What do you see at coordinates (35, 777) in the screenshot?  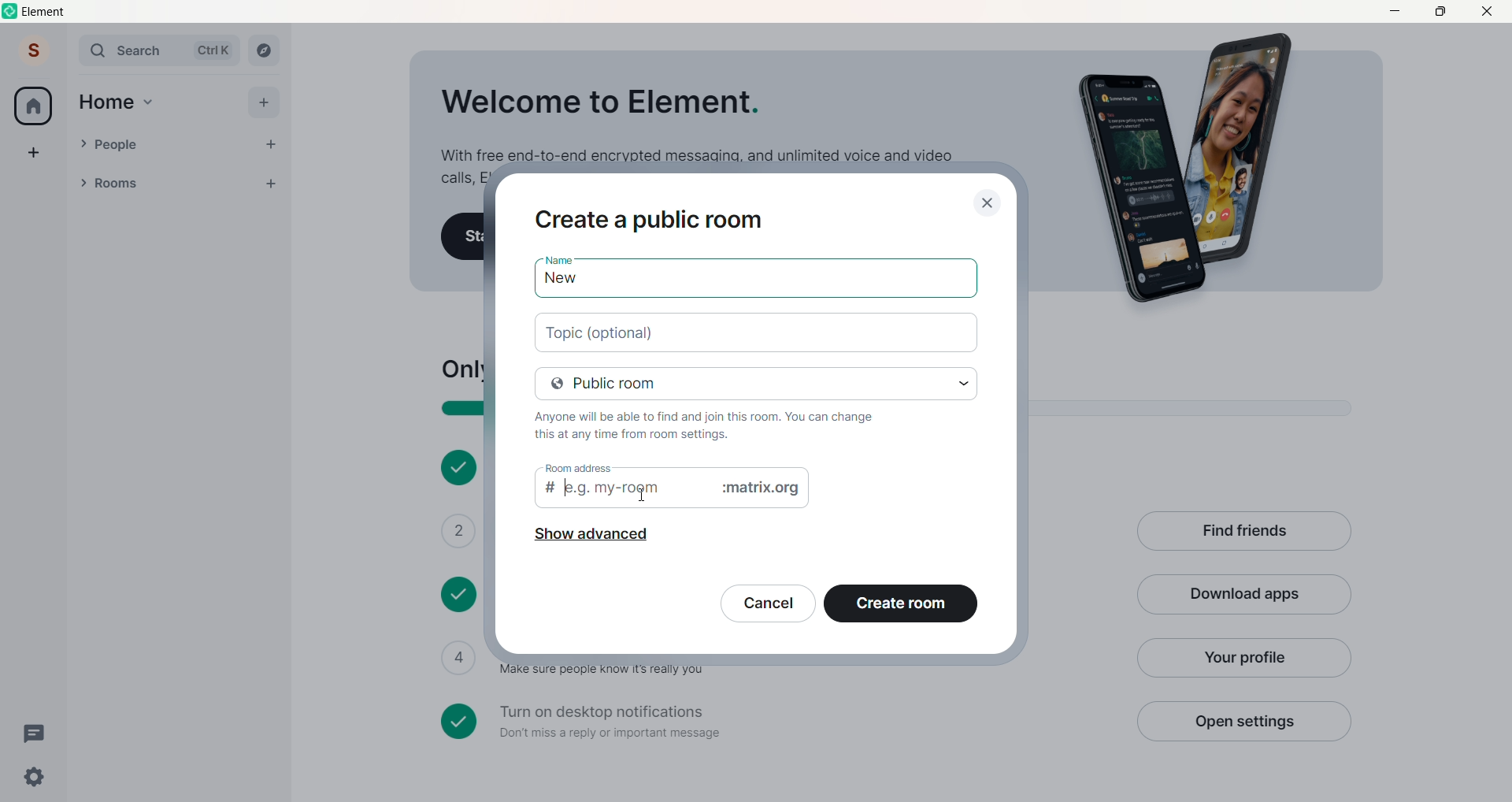 I see `Quick Settings` at bounding box center [35, 777].